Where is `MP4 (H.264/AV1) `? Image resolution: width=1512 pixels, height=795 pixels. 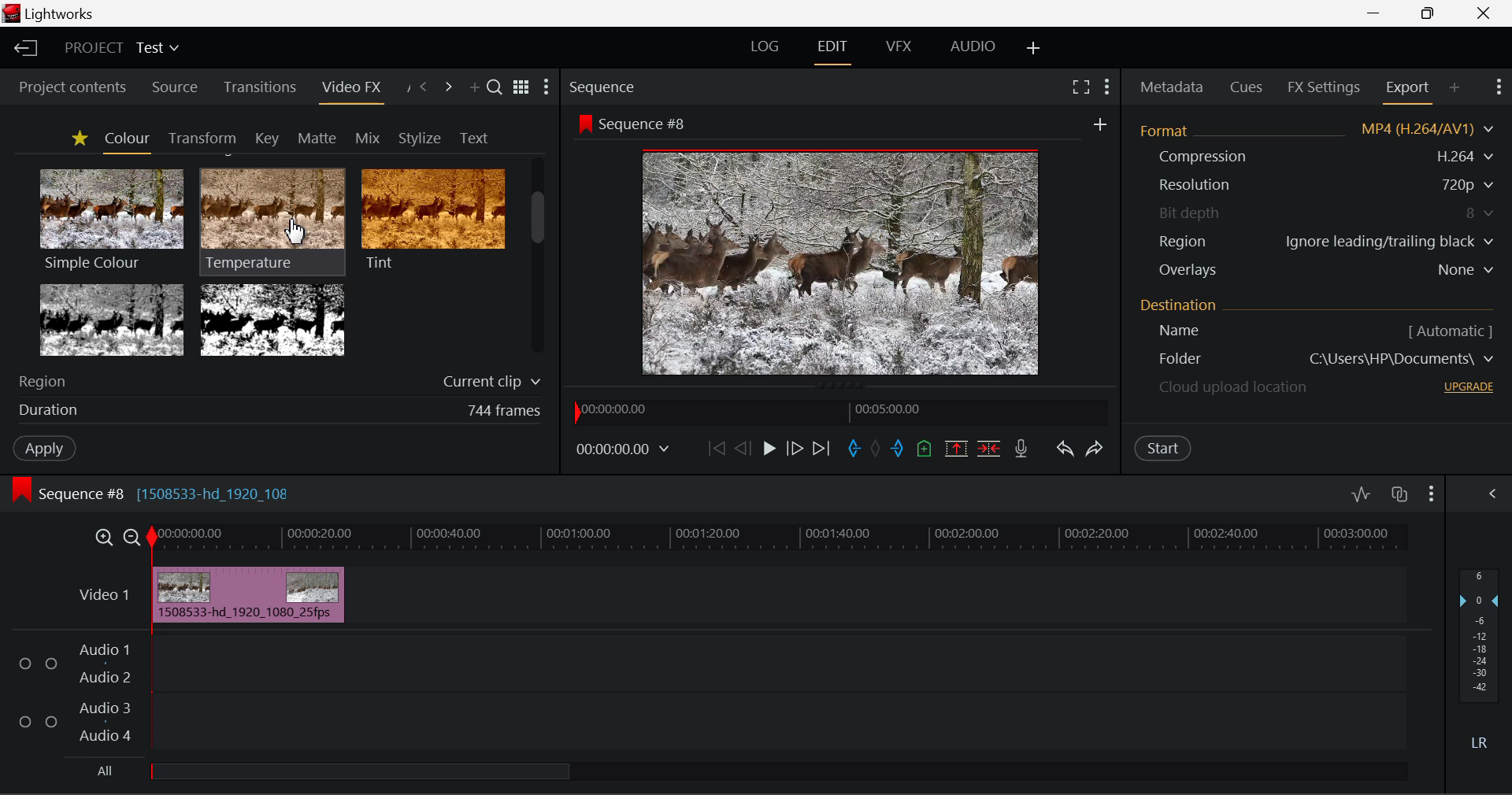
MP4 (H.264/AV1)  is located at coordinates (1419, 129).